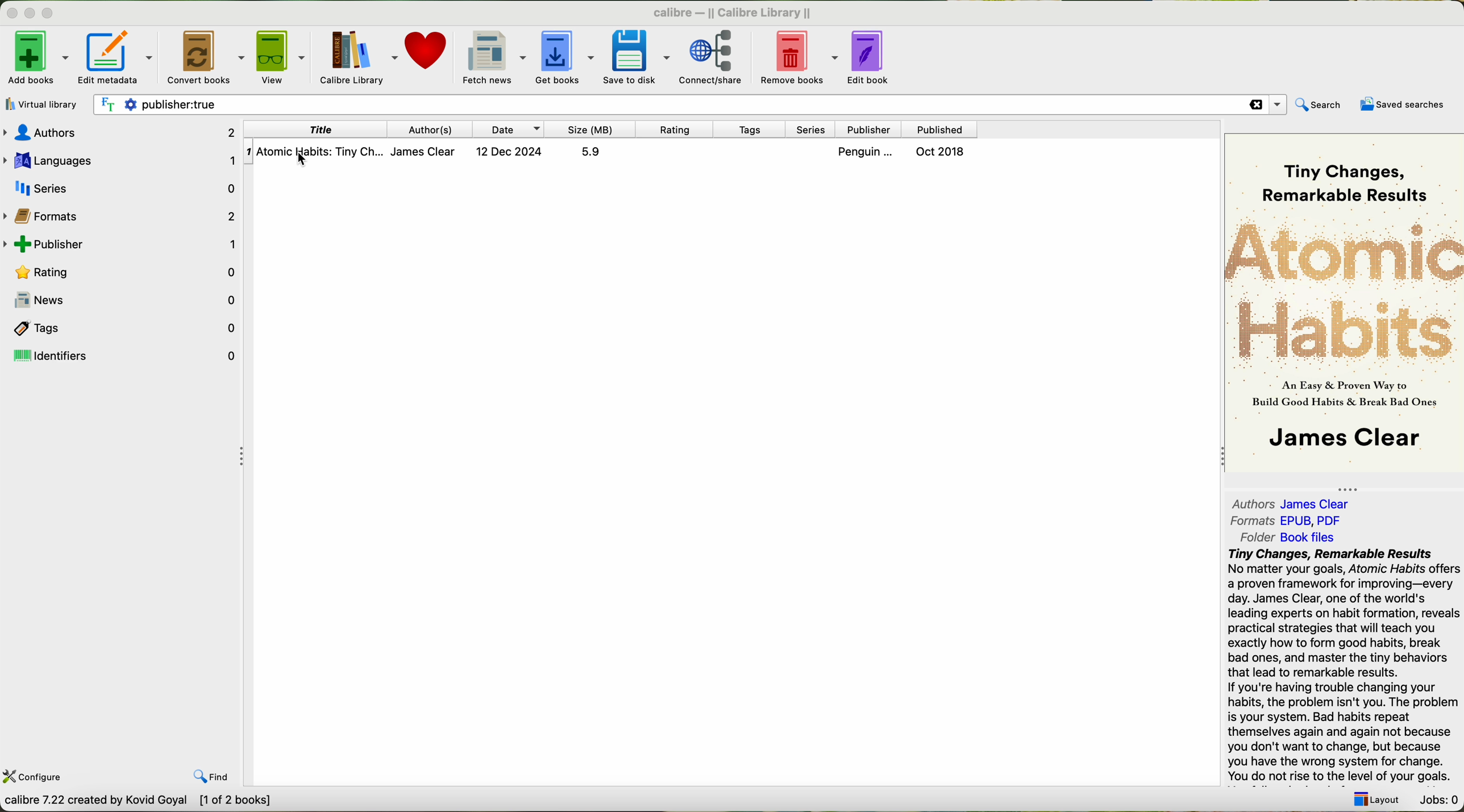  What do you see at coordinates (564, 56) in the screenshot?
I see `get books` at bounding box center [564, 56].